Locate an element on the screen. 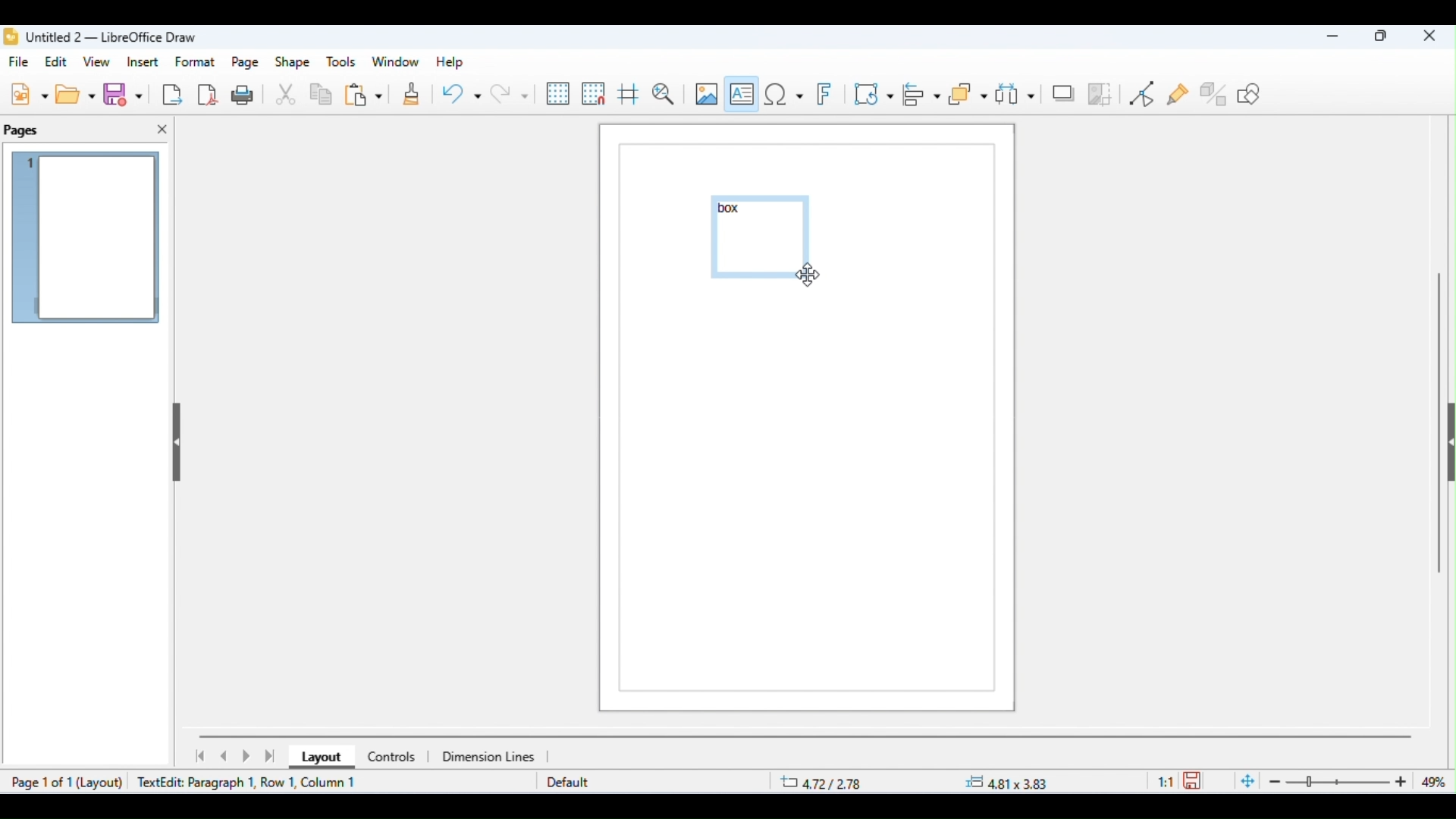 The height and width of the screenshot is (819, 1456). paste is located at coordinates (363, 96).